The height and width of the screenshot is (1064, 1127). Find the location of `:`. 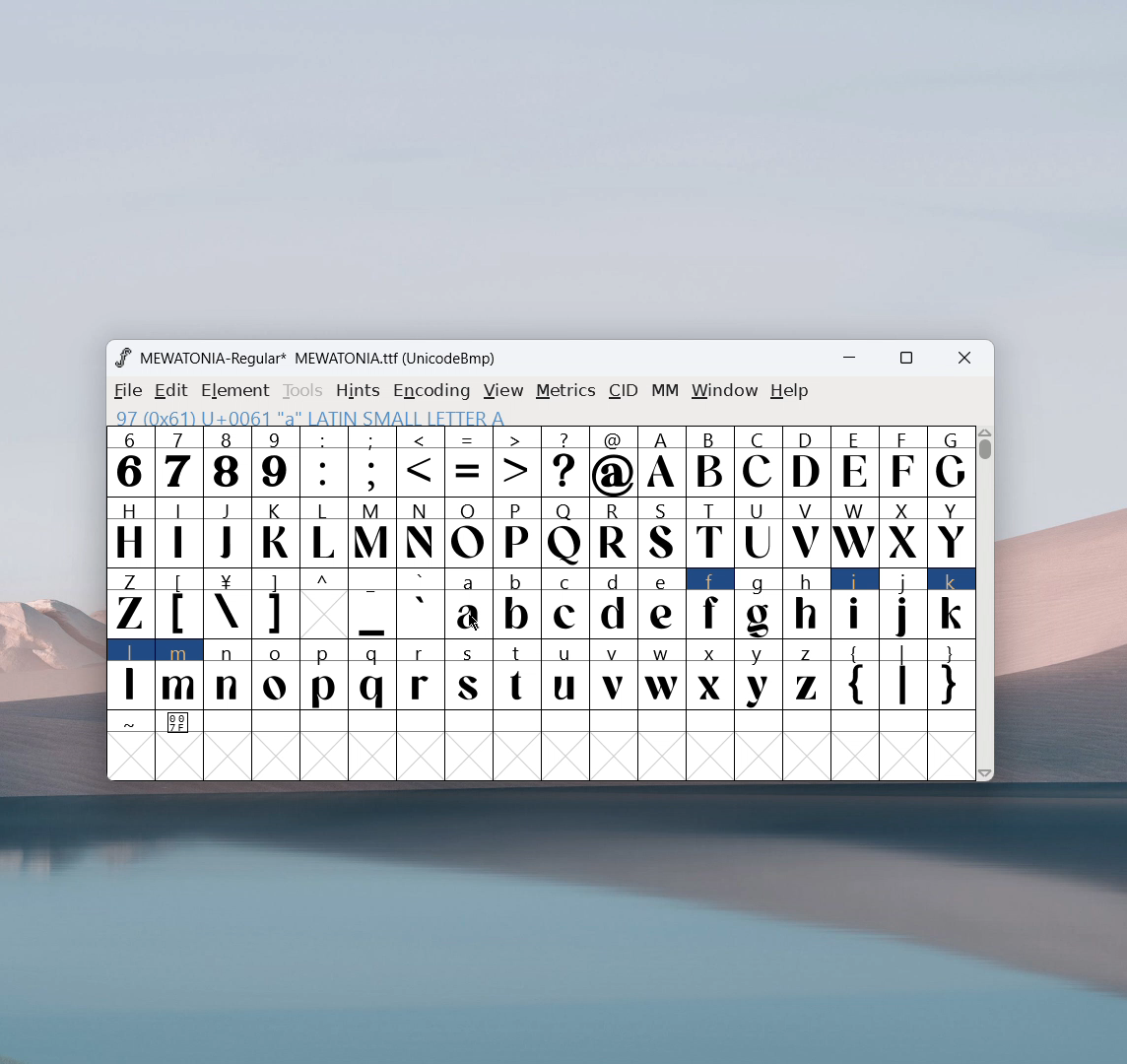

: is located at coordinates (323, 462).